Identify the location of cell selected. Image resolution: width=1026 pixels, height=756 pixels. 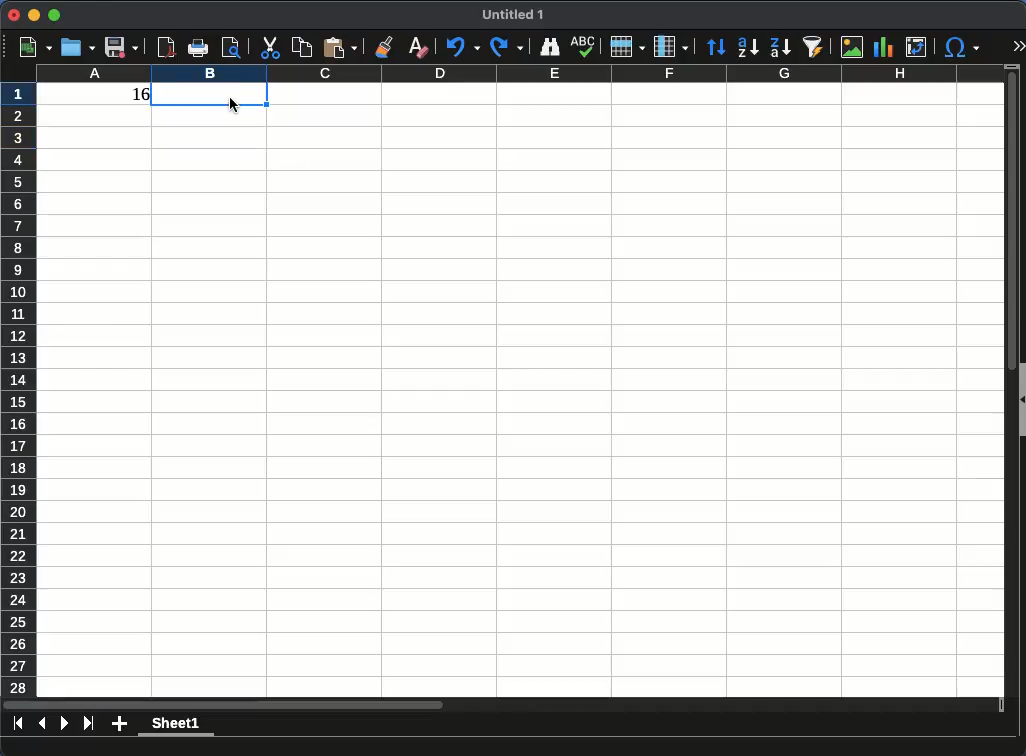
(210, 96).